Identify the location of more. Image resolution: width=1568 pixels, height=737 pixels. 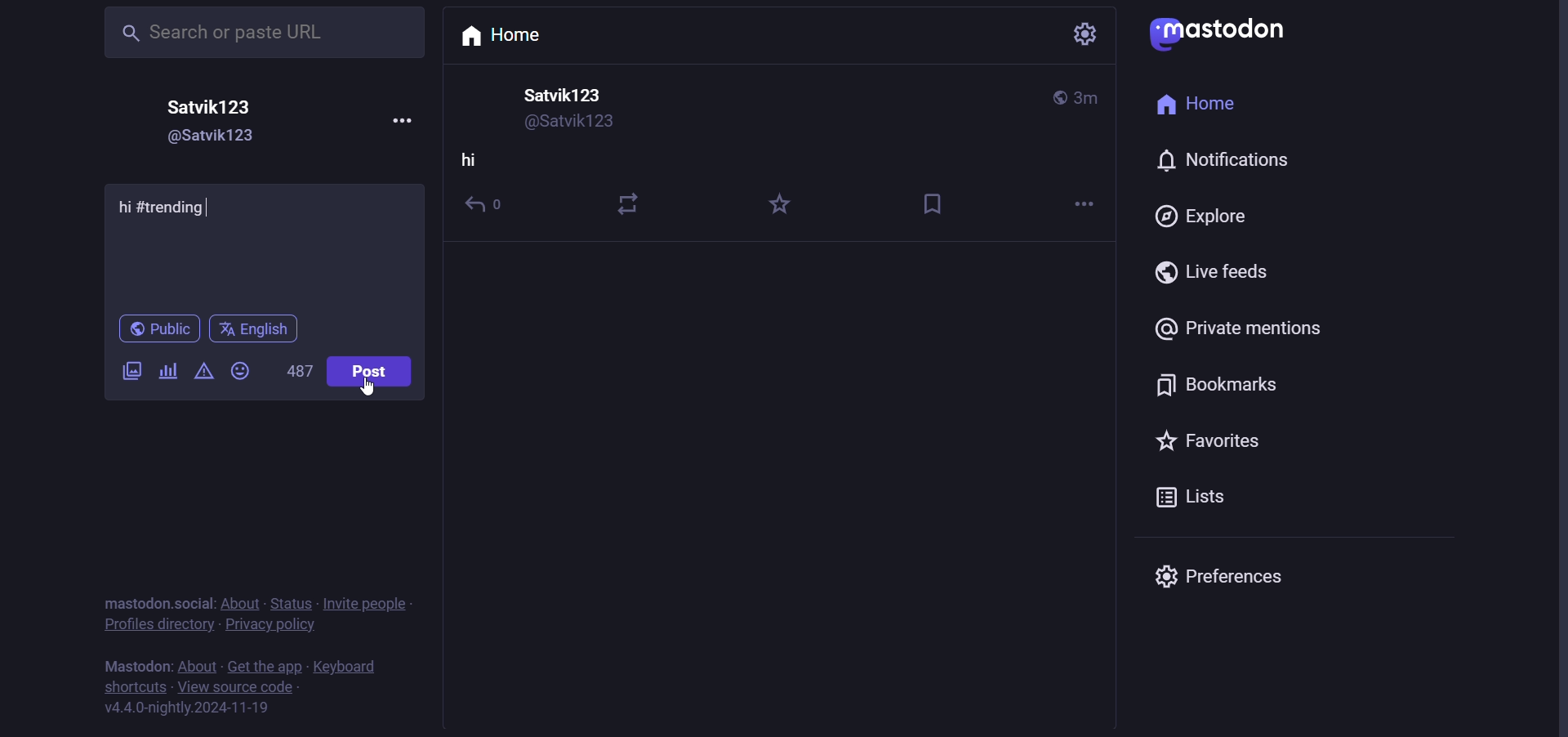
(401, 117).